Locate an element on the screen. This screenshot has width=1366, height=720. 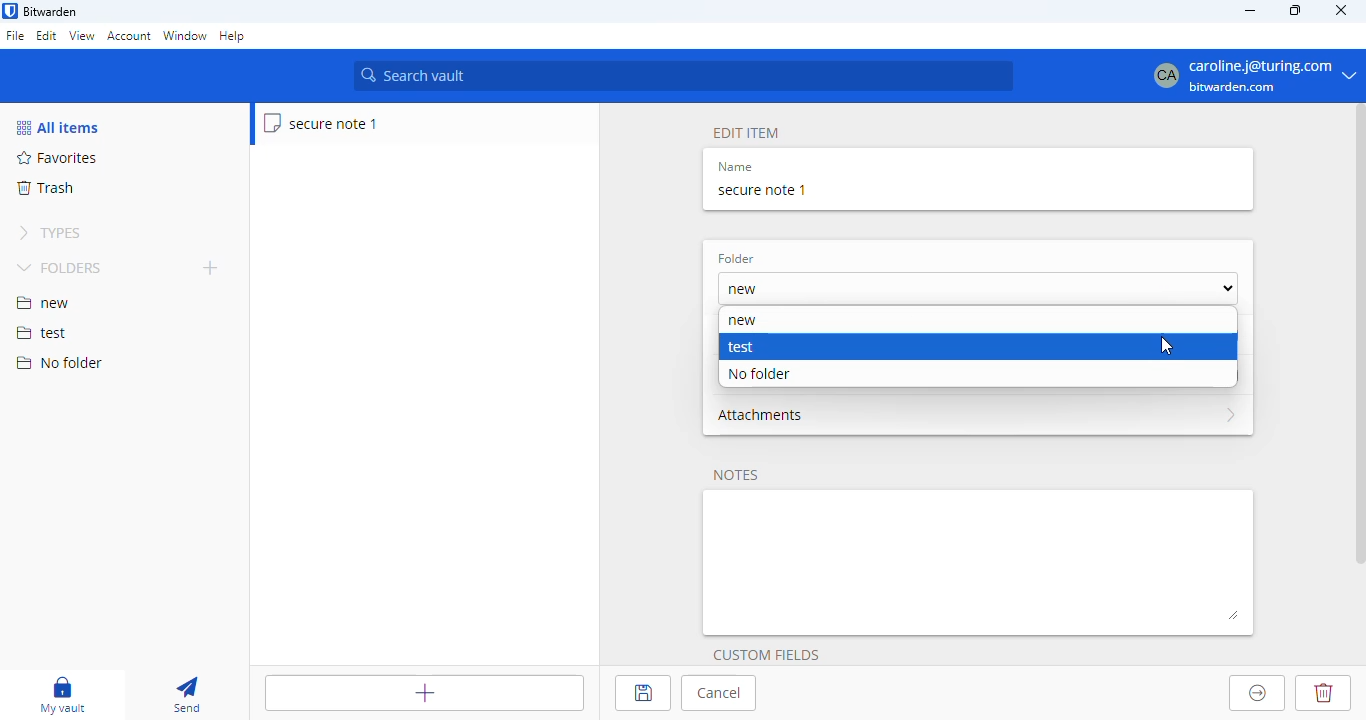
cancel is located at coordinates (719, 693).